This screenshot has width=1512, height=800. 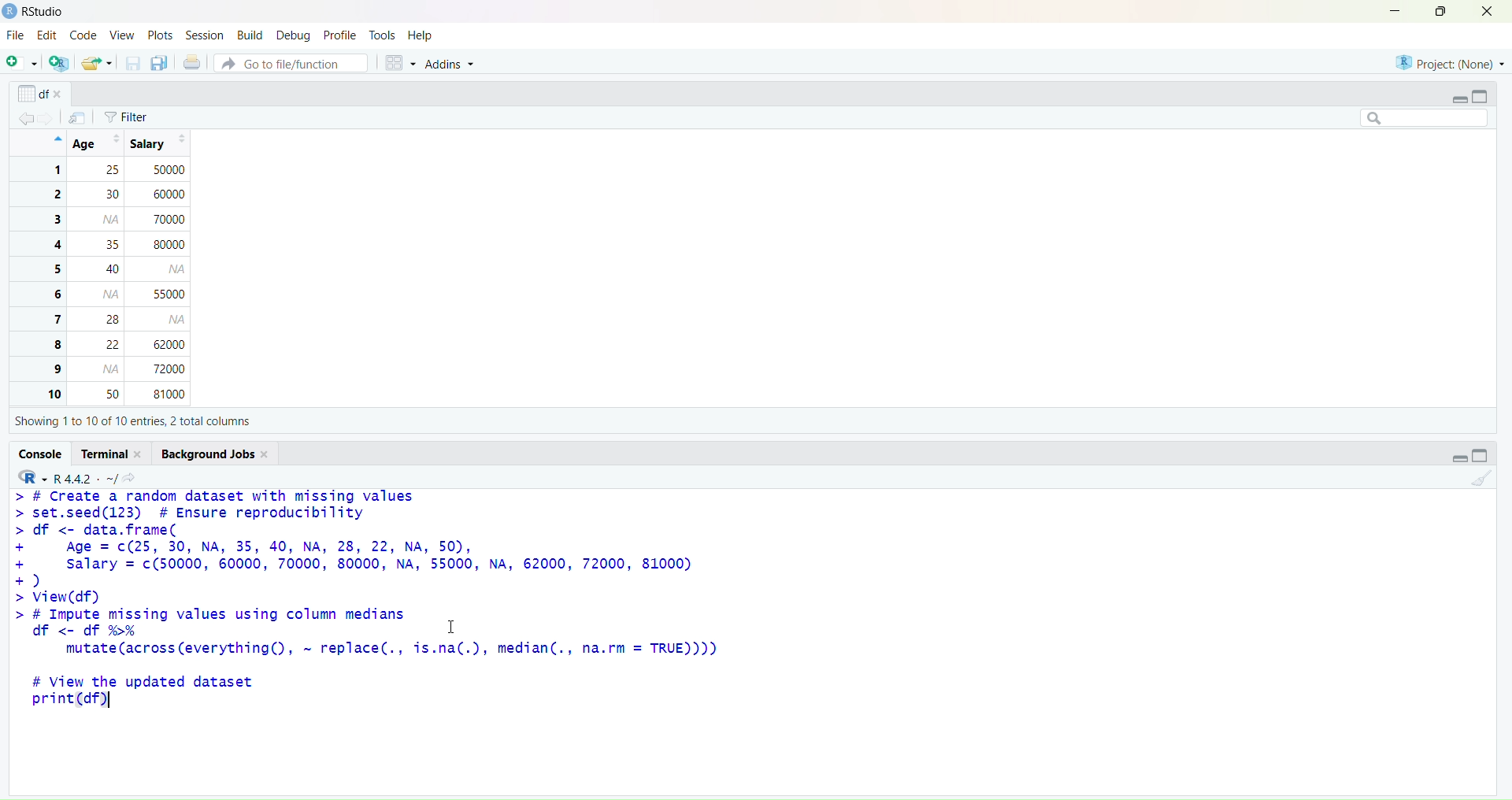 I want to click on filter, so click(x=130, y=117).